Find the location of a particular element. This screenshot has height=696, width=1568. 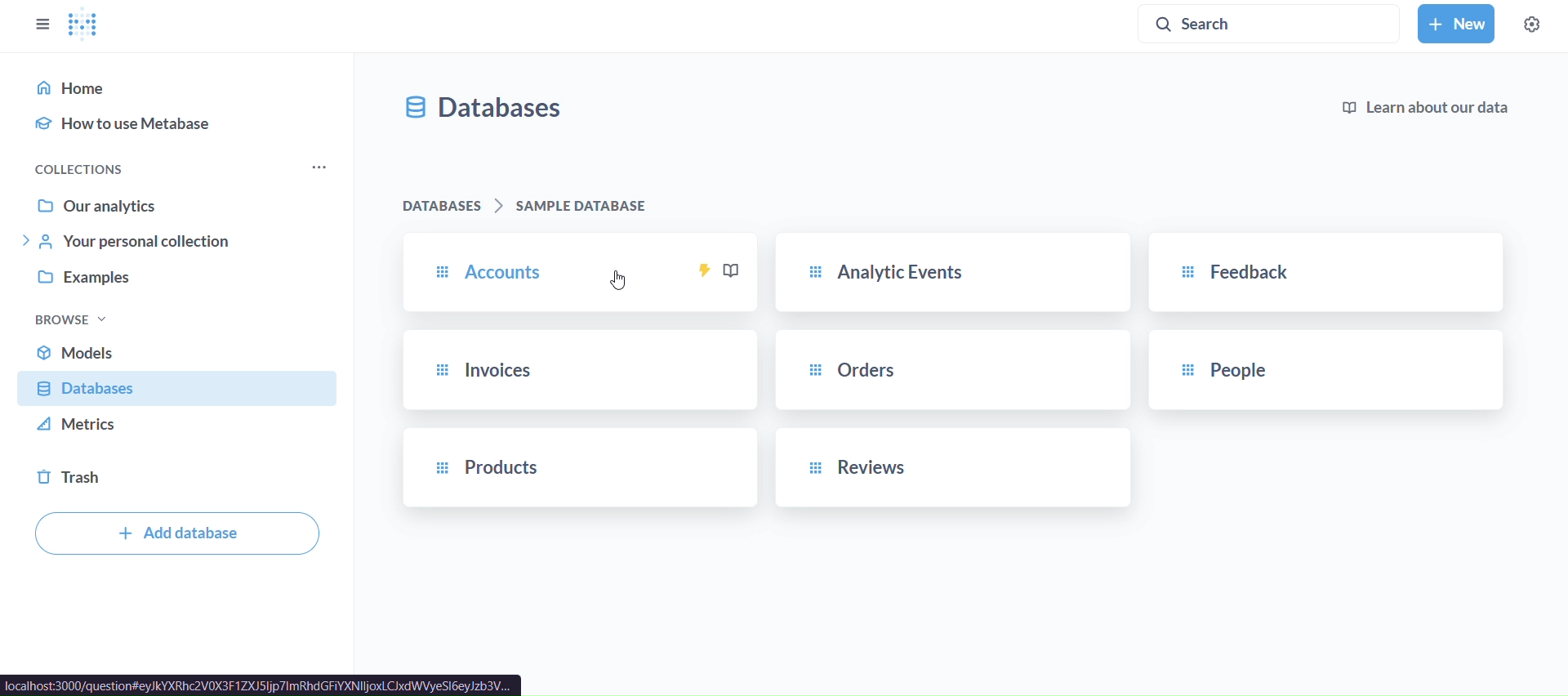

url is located at coordinates (264, 685).